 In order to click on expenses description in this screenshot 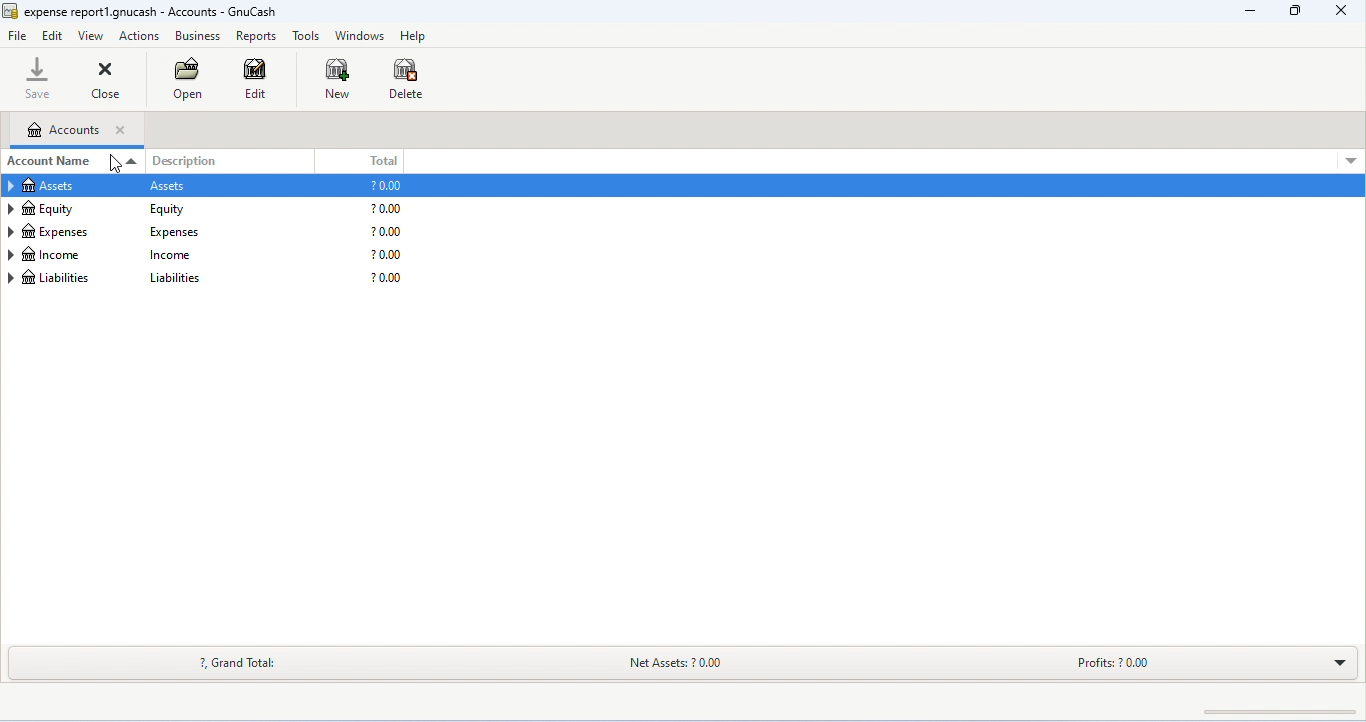, I will do `click(178, 234)`.